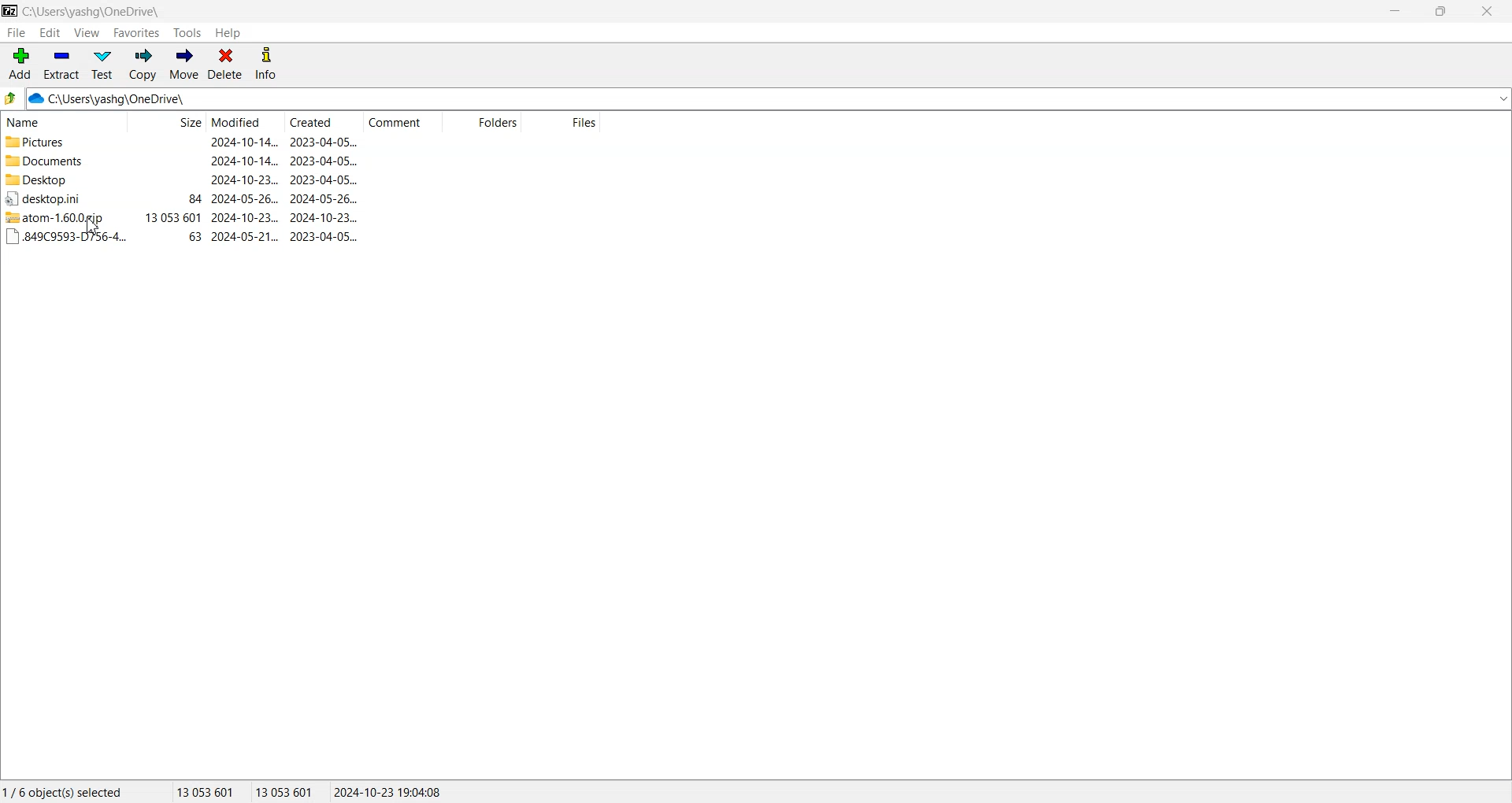  Describe the element at coordinates (173, 217) in the screenshot. I see `13 053 601` at that location.